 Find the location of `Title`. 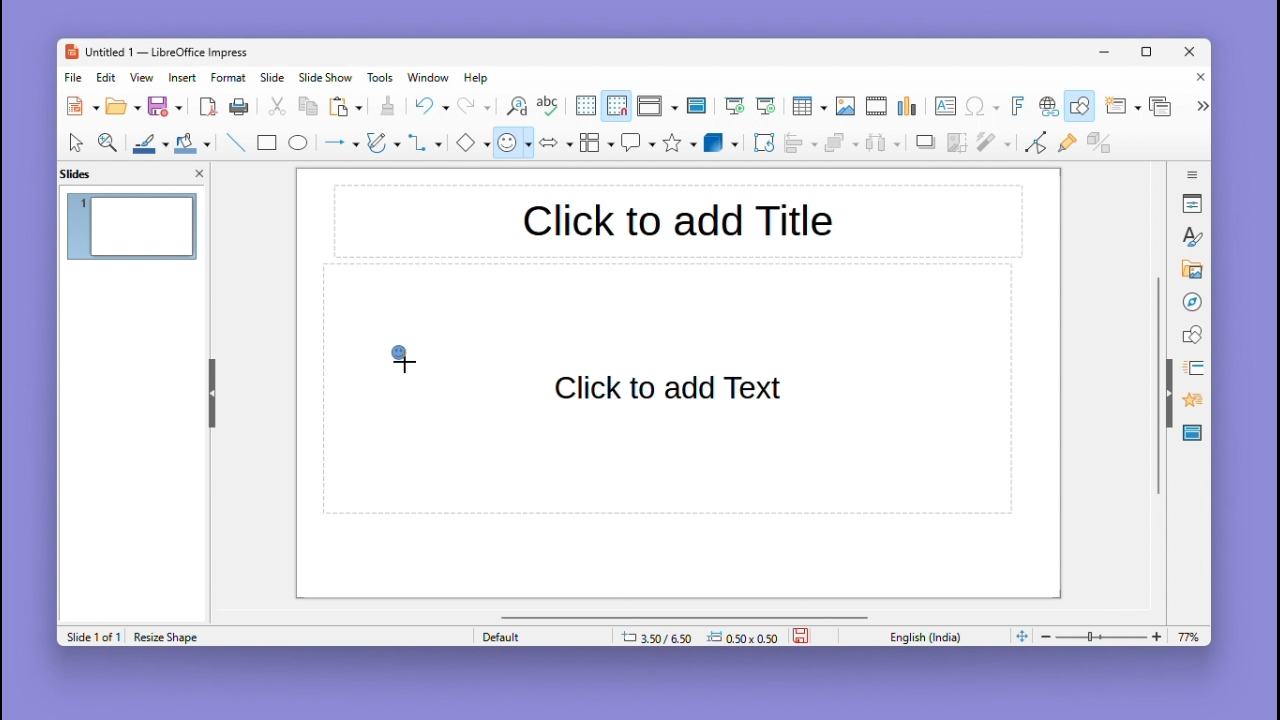

Title is located at coordinates (677, 223).